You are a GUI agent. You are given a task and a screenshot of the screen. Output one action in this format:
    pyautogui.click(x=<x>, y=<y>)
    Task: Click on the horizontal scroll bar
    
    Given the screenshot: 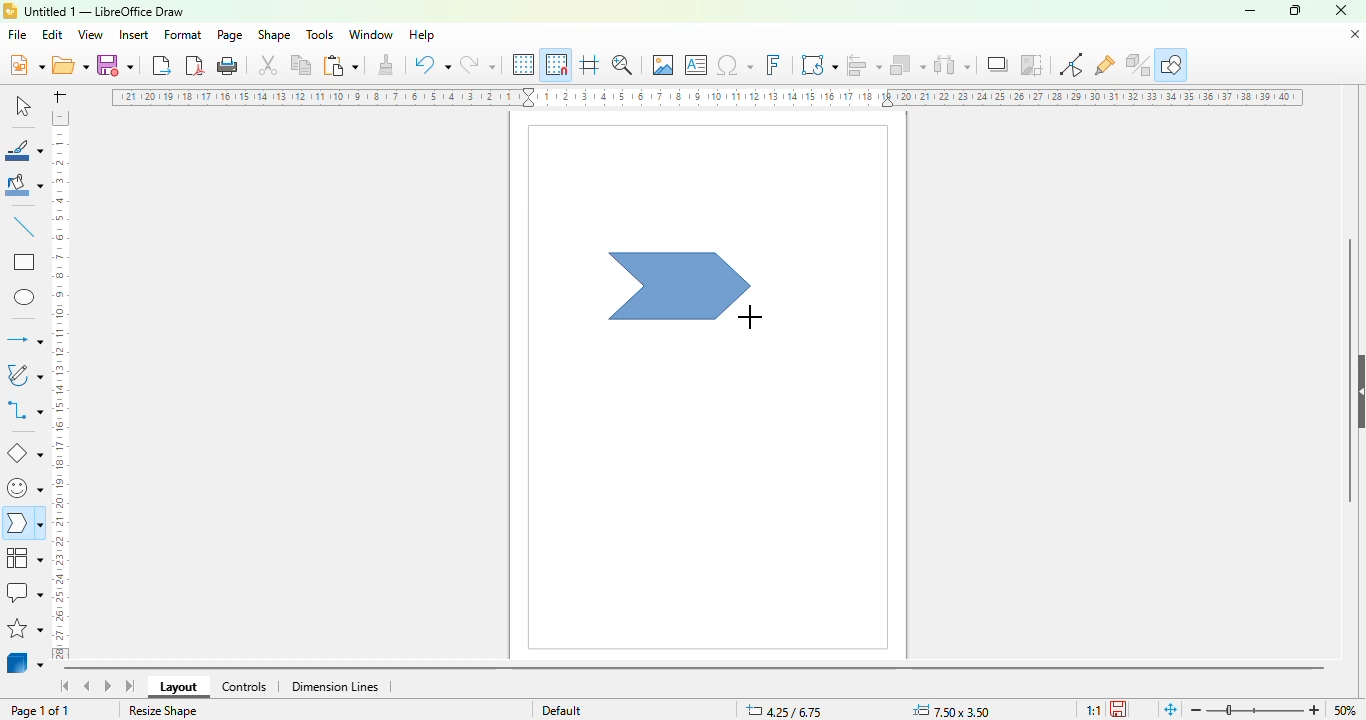 What is the action you would take?
    pyautogui.click(x=695, y=670)
    